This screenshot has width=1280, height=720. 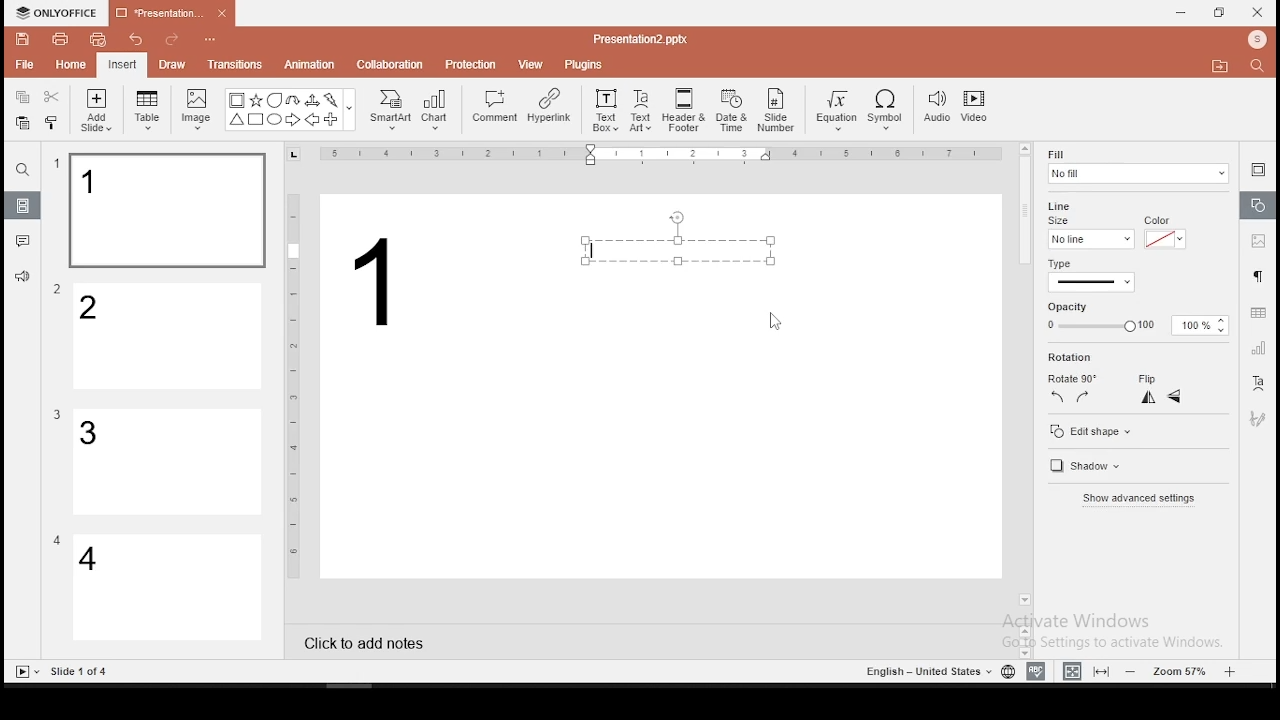 I want to click on undo, so click(x=136, y=41).